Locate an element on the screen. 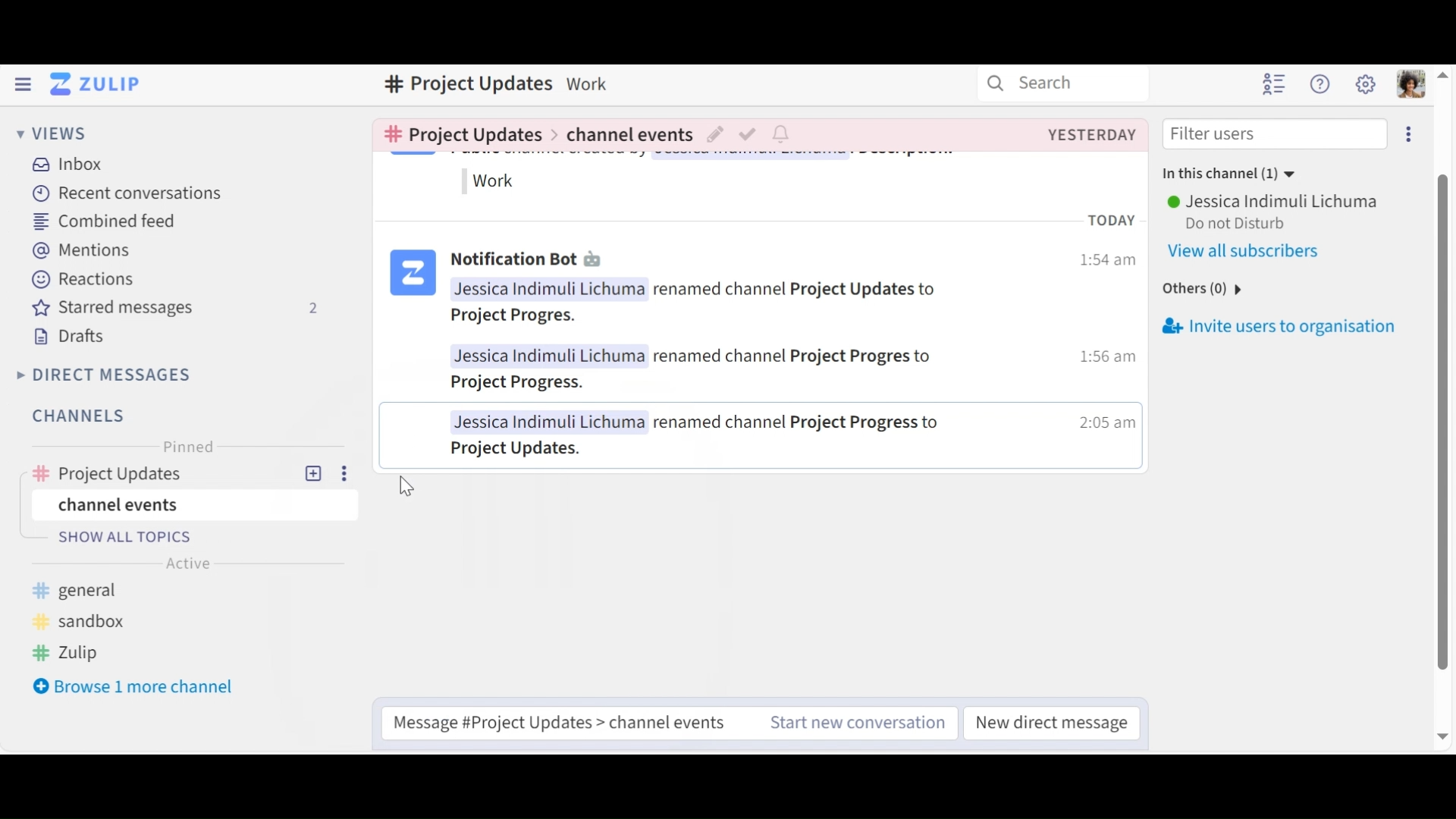  1:54 am is located at coordinates (1106, 263).